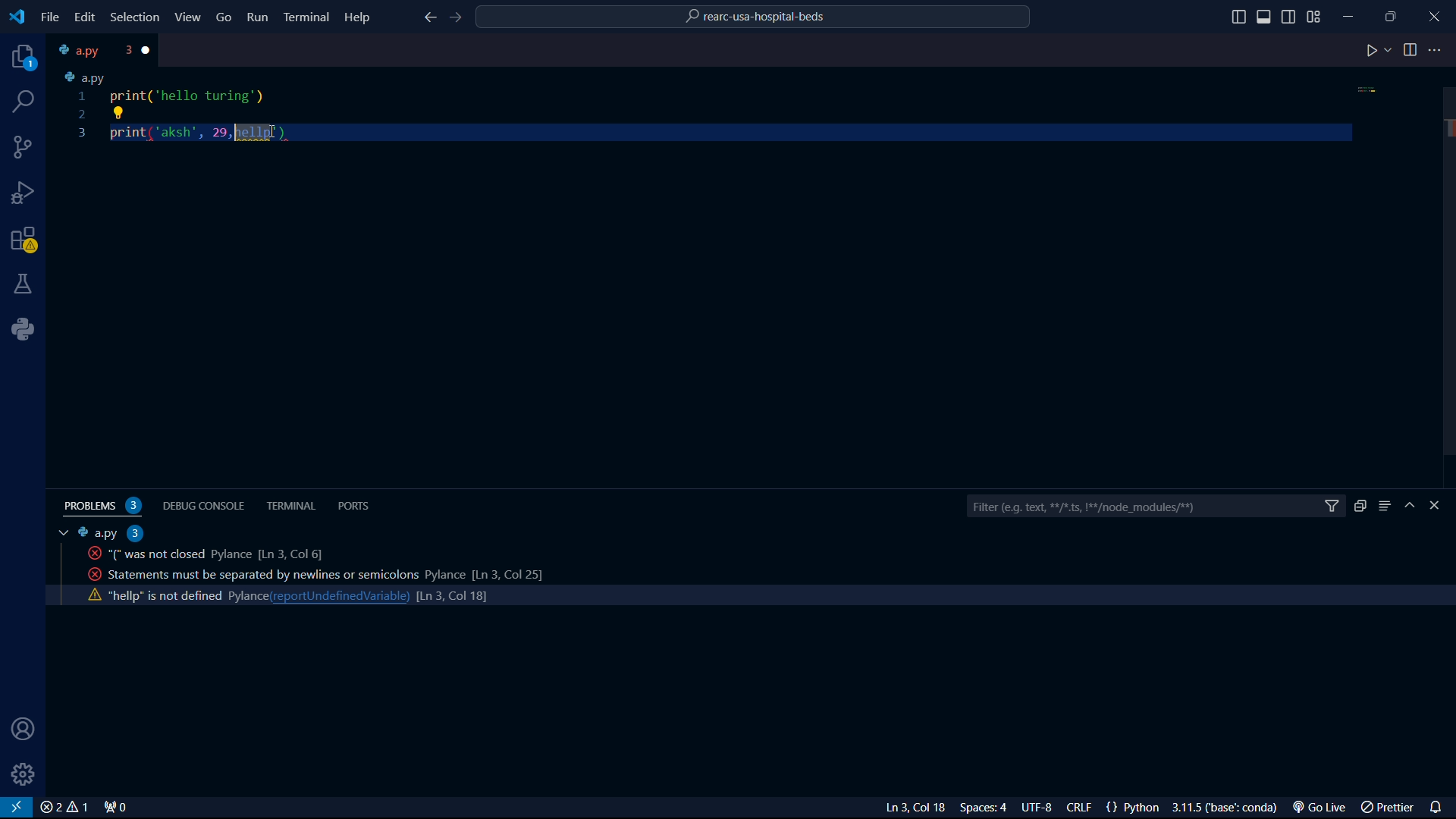 Image resolution: width=1456 pixels, height=819 pixels. Describe the element at coordinates (717, 108) in the screenshot. I see `code python` at that location.